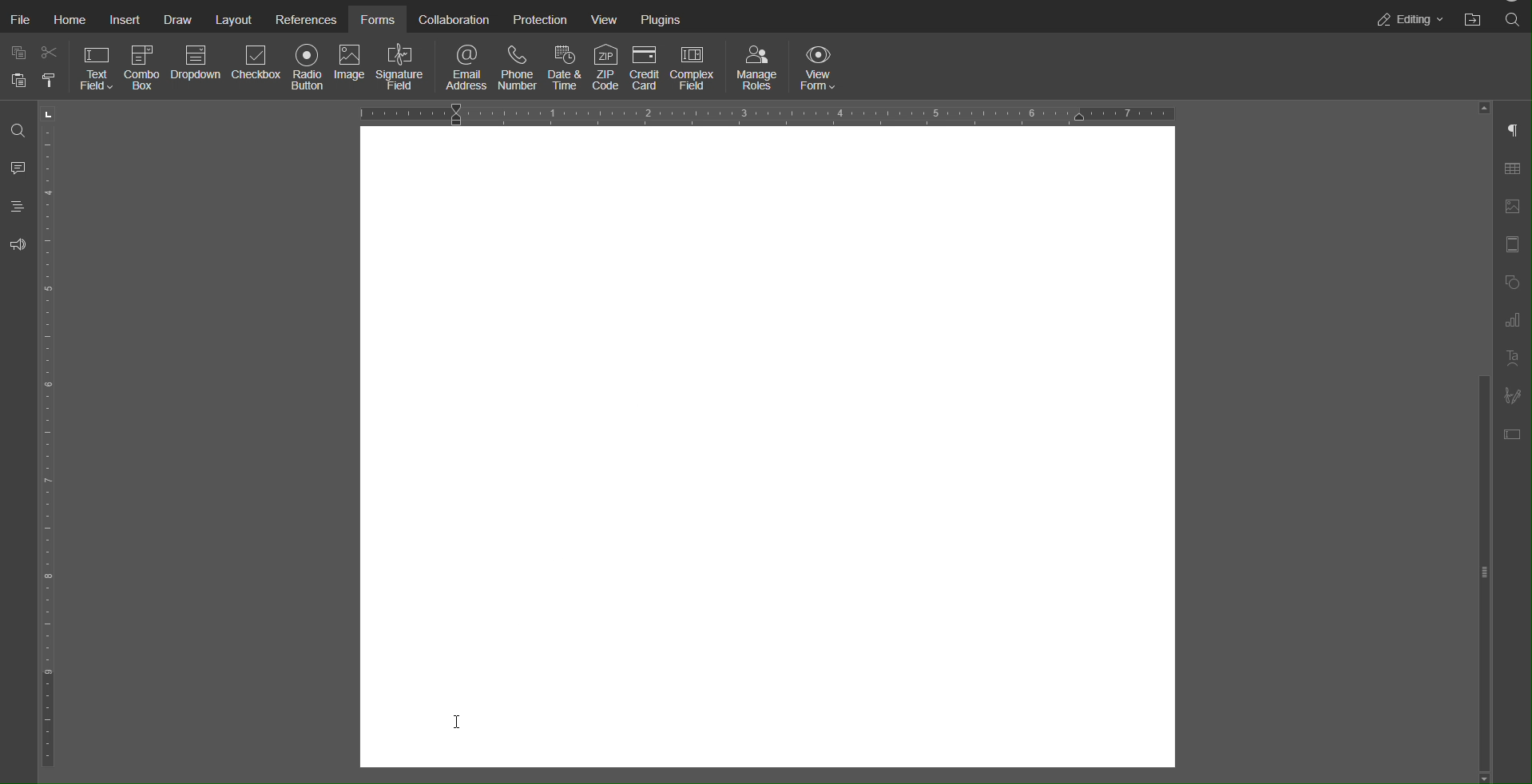 The image size is (1532, 784). What do you see at coordinates (1512, 320) in the screenshot?
I see `Graph Settings` at bounding box center [1512, 320].